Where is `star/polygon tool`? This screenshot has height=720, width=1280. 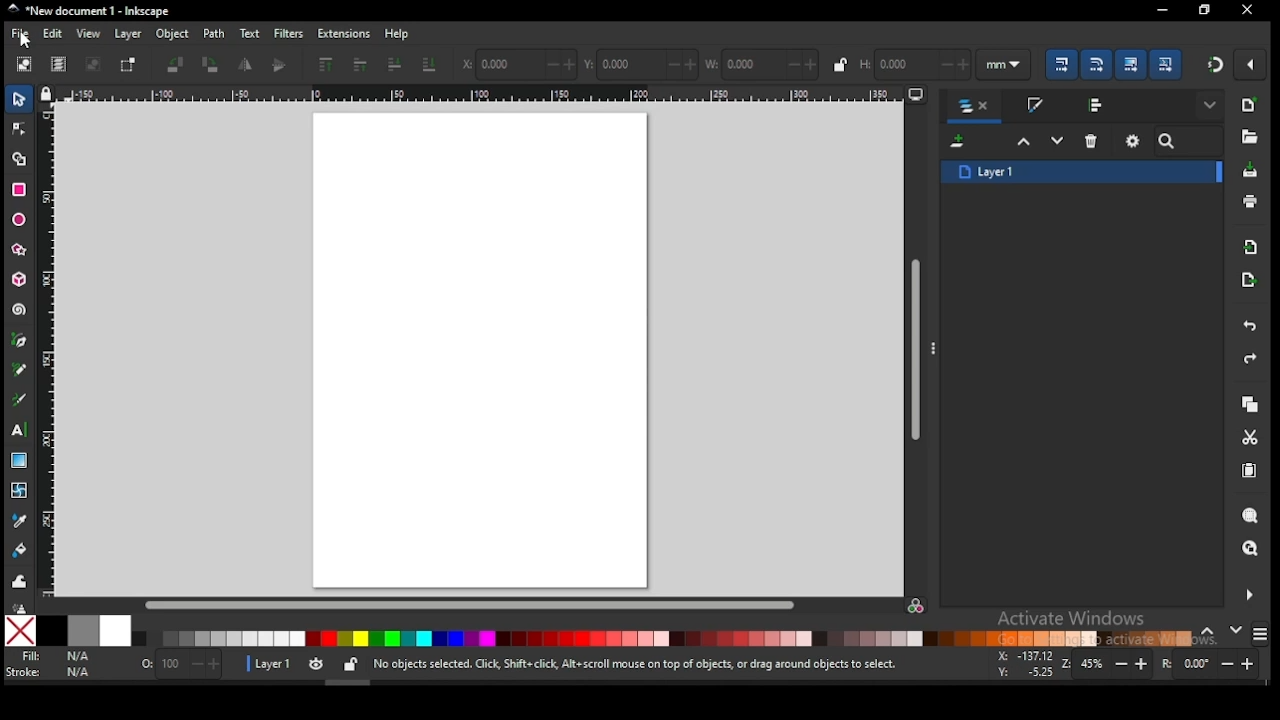 star/polygon tool is located at coordinates (20, 250).